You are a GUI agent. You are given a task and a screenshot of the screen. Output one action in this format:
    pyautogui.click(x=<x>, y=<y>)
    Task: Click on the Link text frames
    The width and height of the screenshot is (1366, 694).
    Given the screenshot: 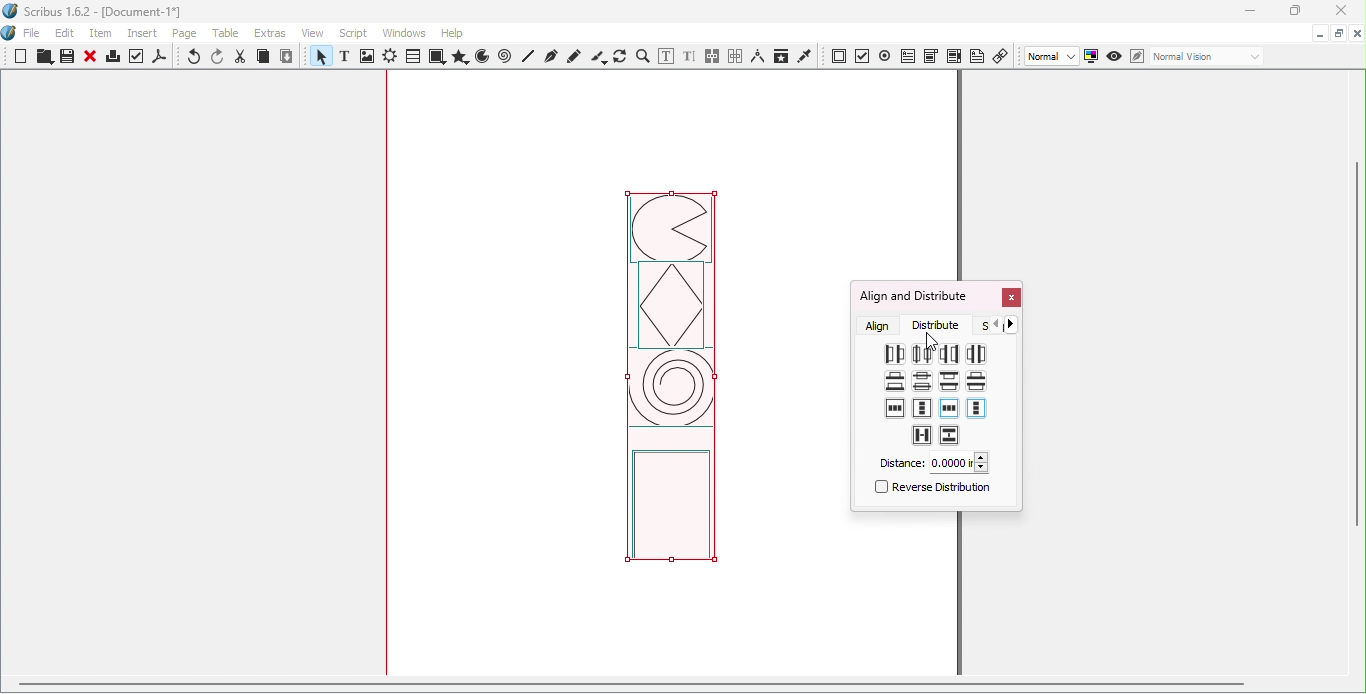 What is the action you would take?
    pyautogui.click(x=713, y=57)
    